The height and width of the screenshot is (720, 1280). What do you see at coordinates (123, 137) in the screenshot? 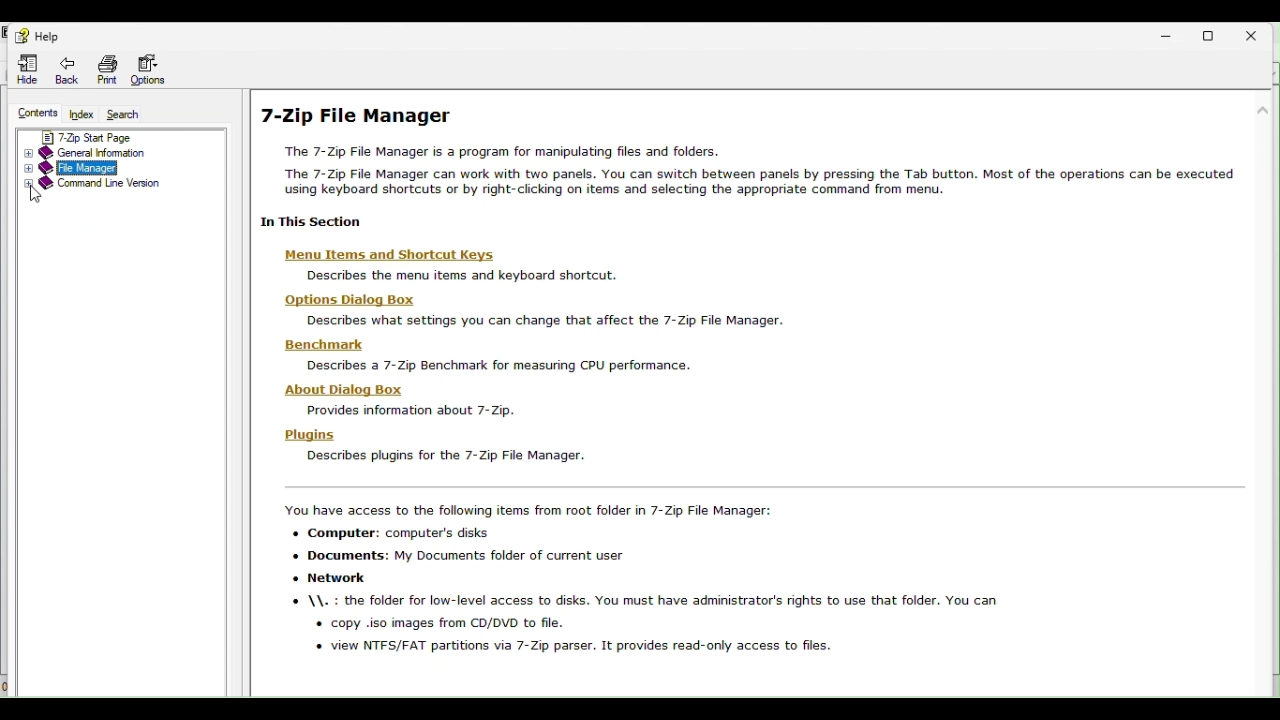
I see `Seven zip start page` at bounding box center [123, 137].